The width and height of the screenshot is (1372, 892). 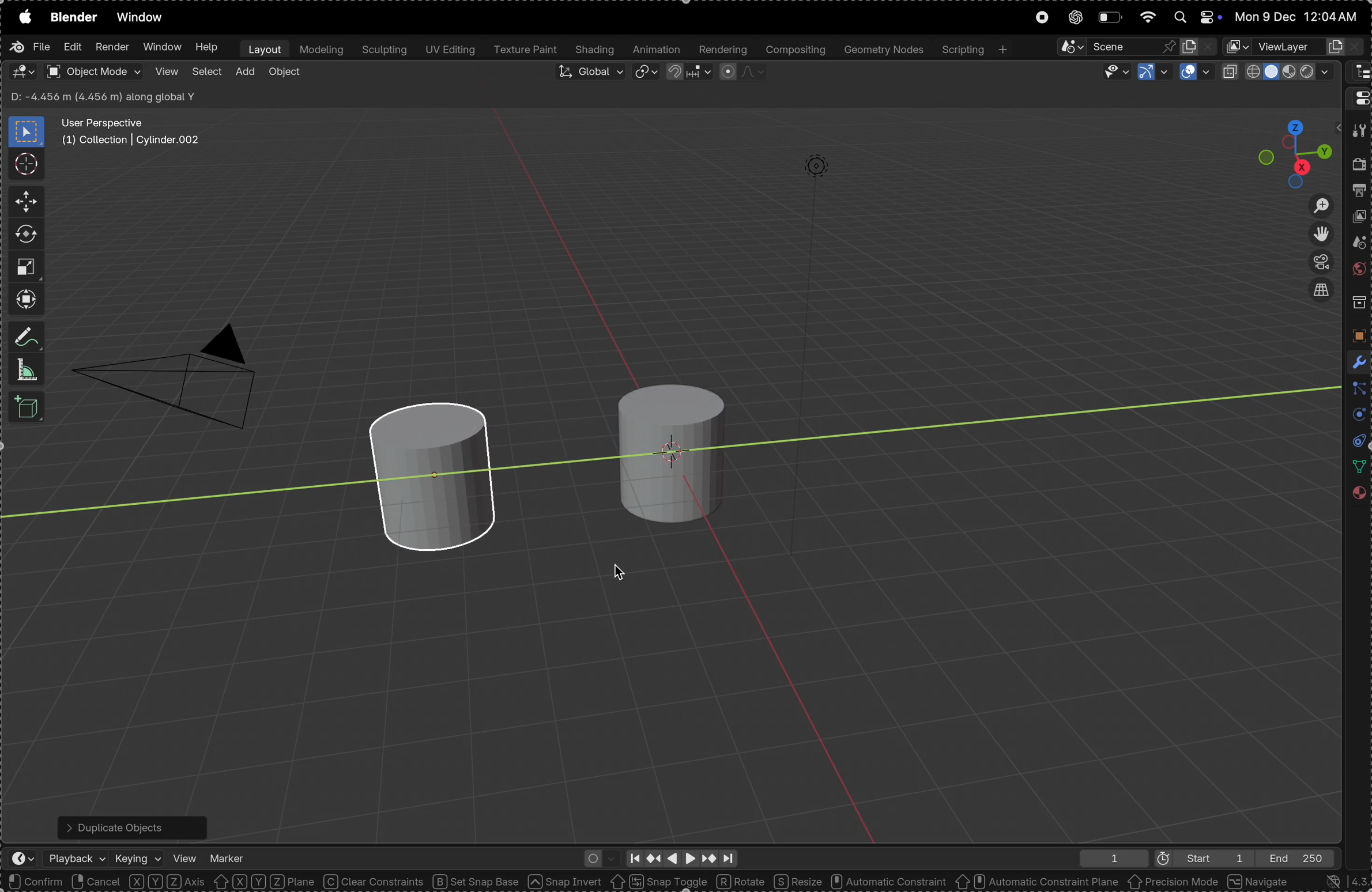 What do you see at coordinates (797, 881) in the screenshot?
I see `resize` at bounding box center [797, 881].